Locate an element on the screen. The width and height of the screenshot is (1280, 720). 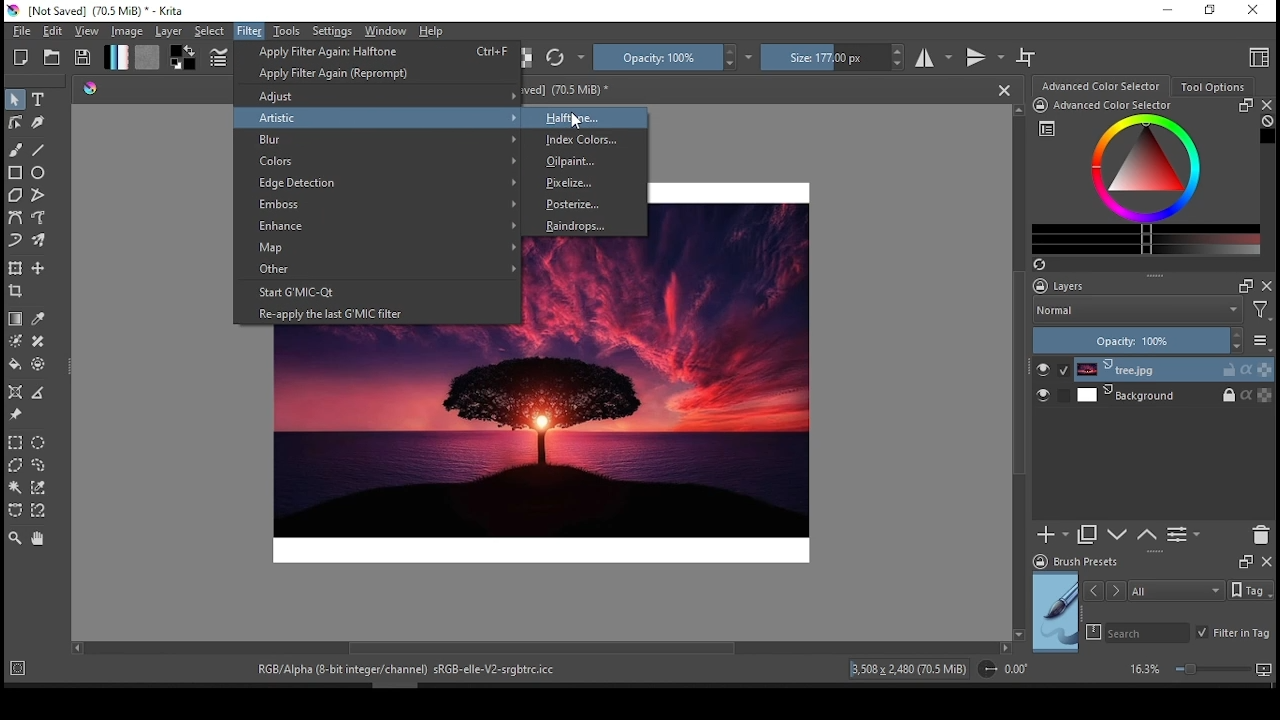
emboss is located at coordinates (378, 204).